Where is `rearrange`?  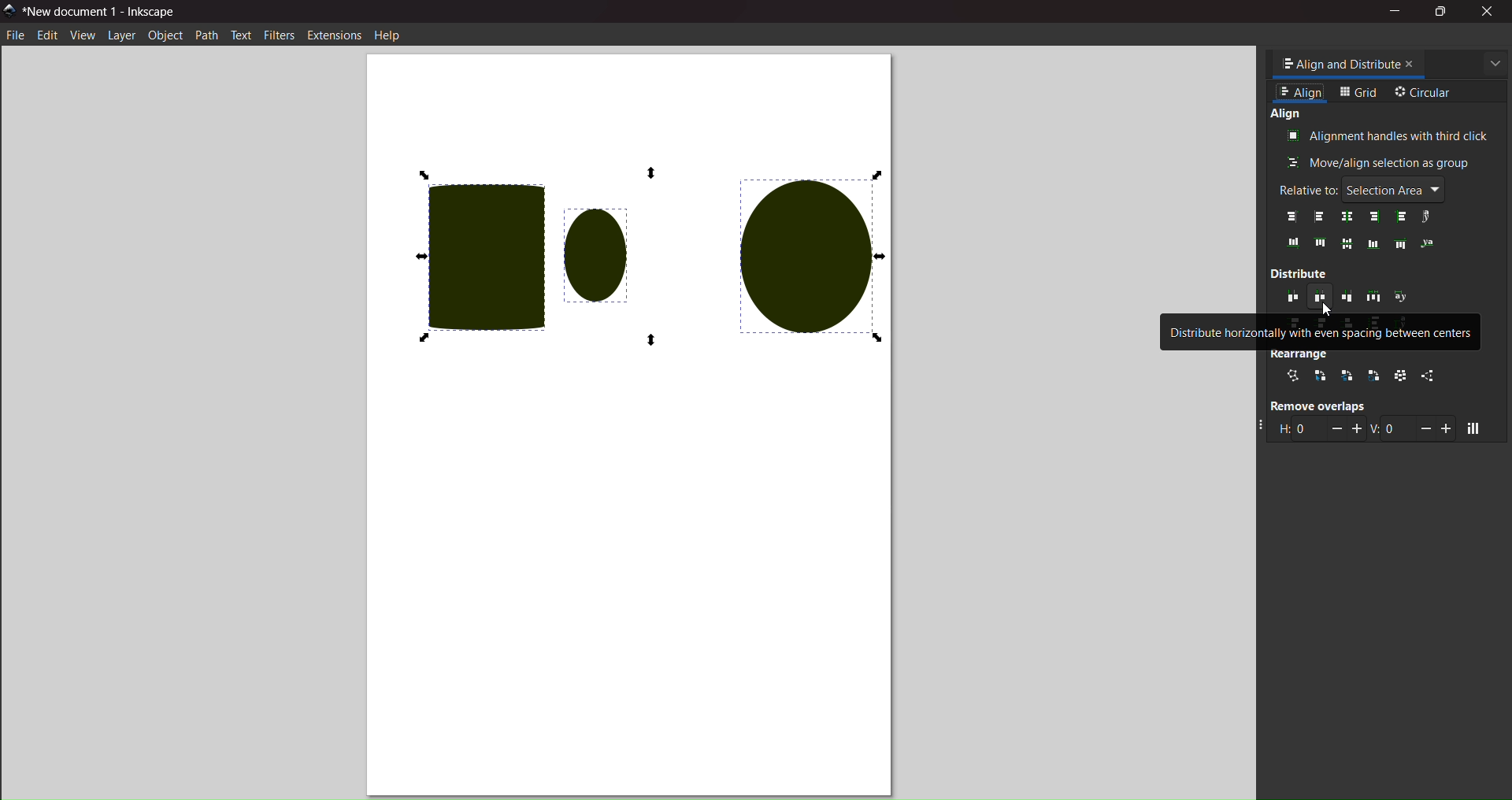
rearrange is located at coordinates (1302, 357).